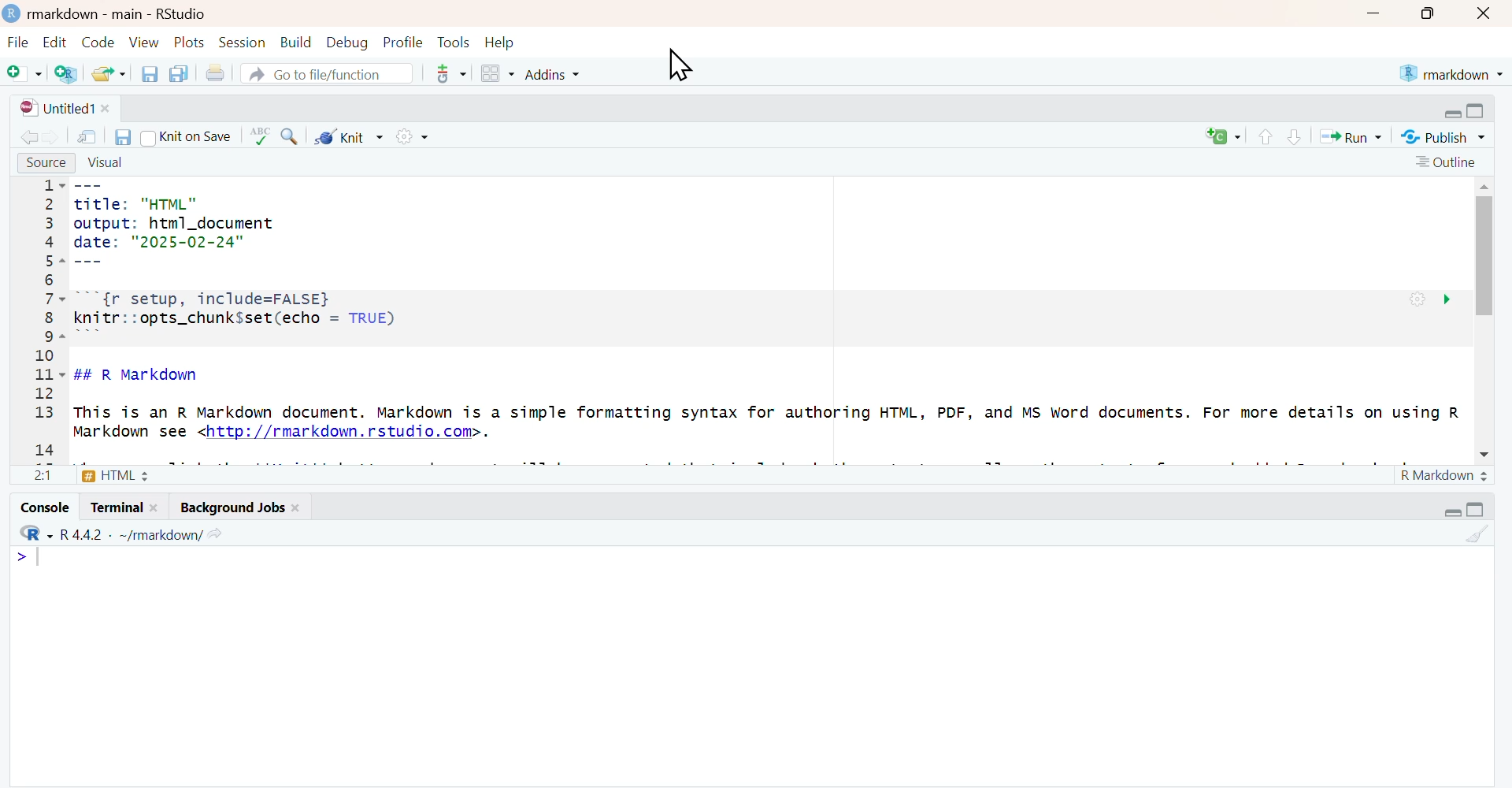 The width and height of the screenshot is (1512, 788). I want to click on print the current file, so click(215, 74).